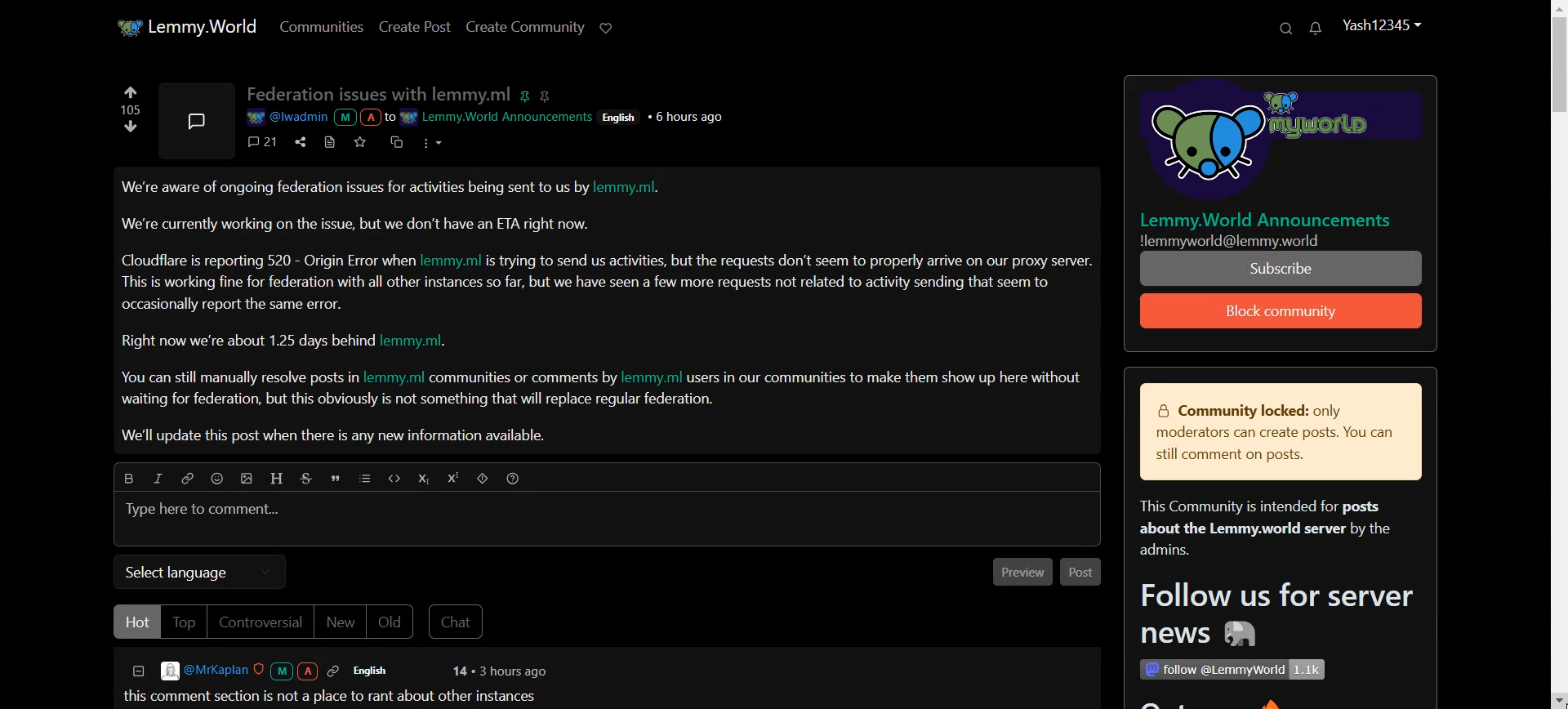 The image size is (1568, 709). What do you see at coordinates (354, 223) in the screenshot?
I see `We're currently working on the issue, but we don’t have an ETA right now.` at bounding box center [354, 223].